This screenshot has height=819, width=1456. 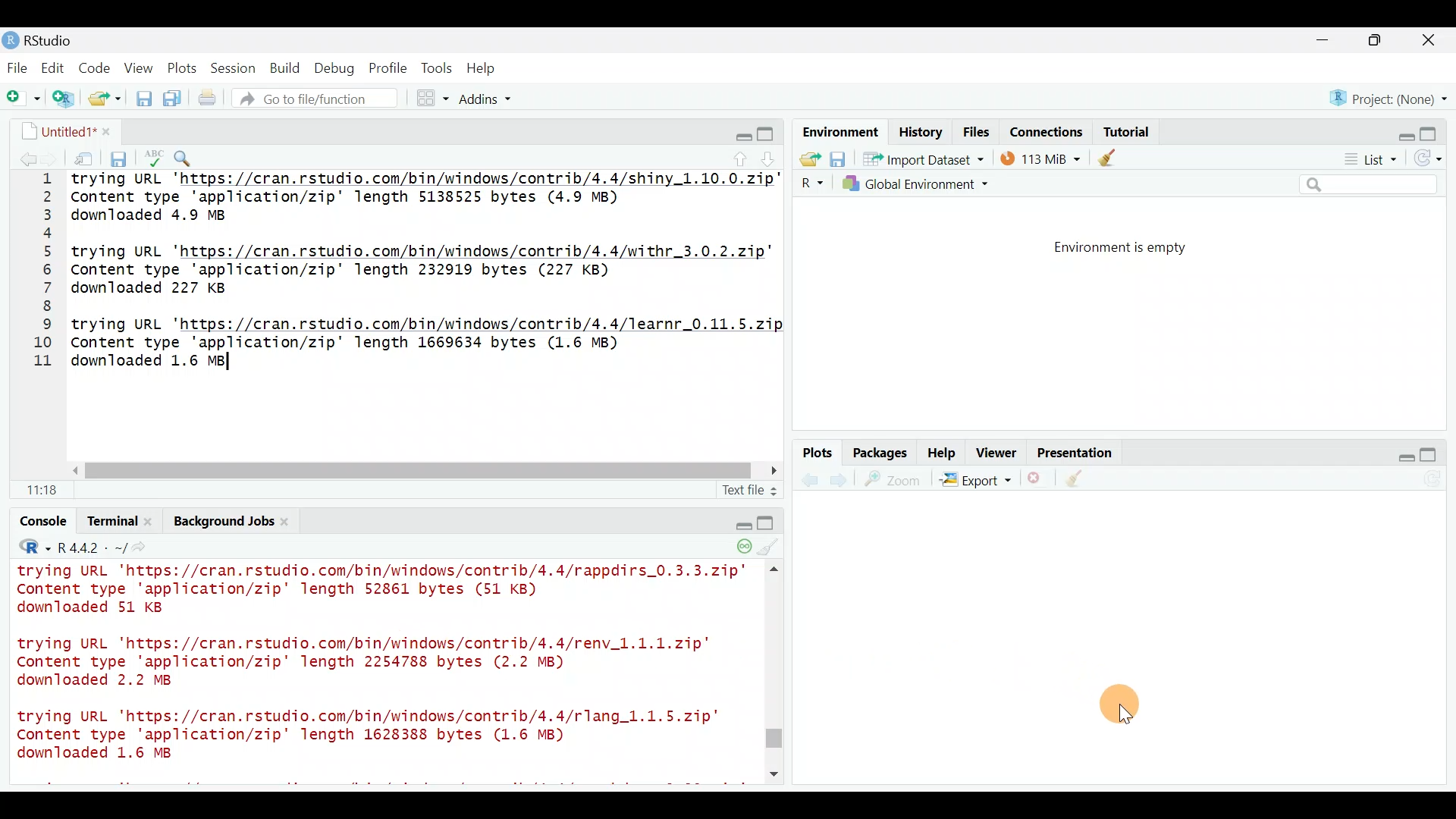 What do you see at coordinates (1330, 41) in the screenshot?
I see `minimize` at bounding box center [1330, 41].